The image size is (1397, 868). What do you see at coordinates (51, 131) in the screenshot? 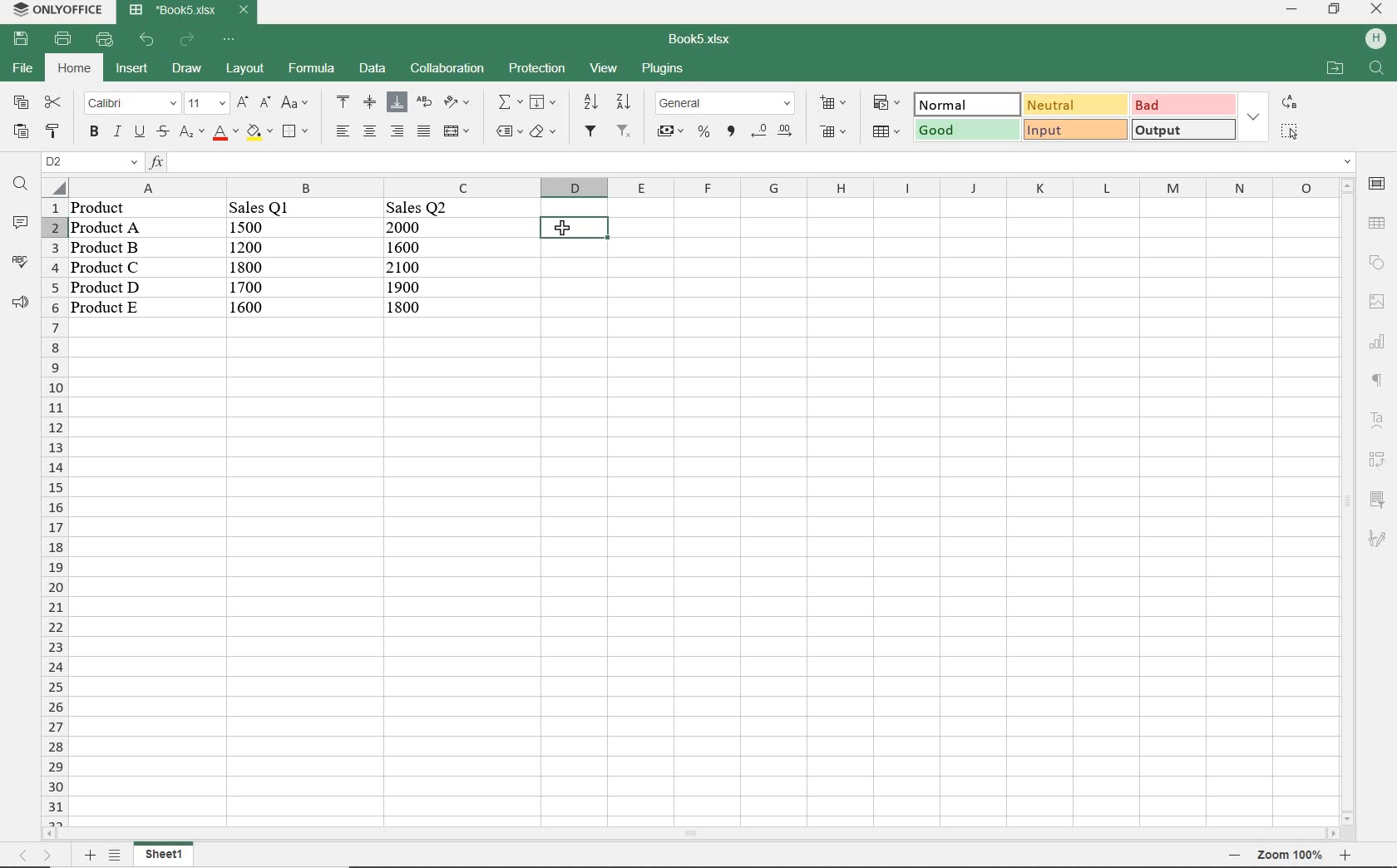
I see `copy style` at bounding box center [51, 131].